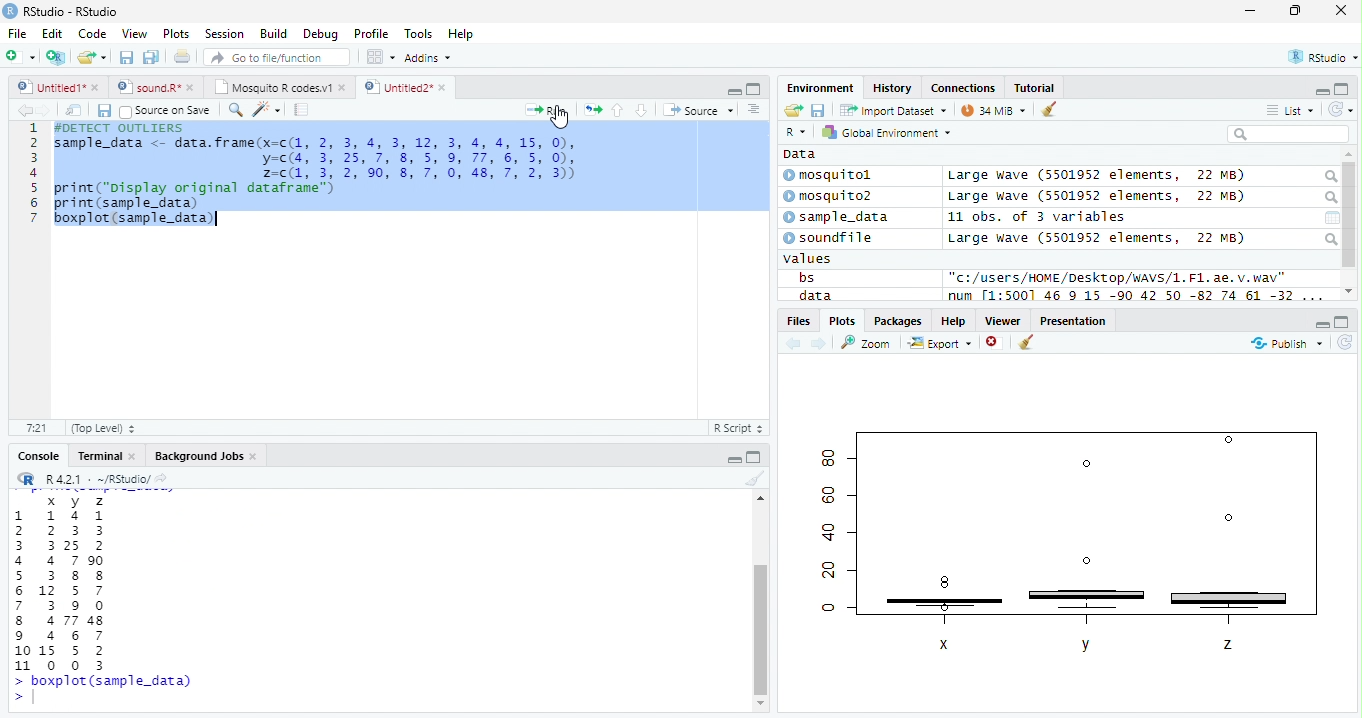  I want to click on Go forward, so click(45, 110).